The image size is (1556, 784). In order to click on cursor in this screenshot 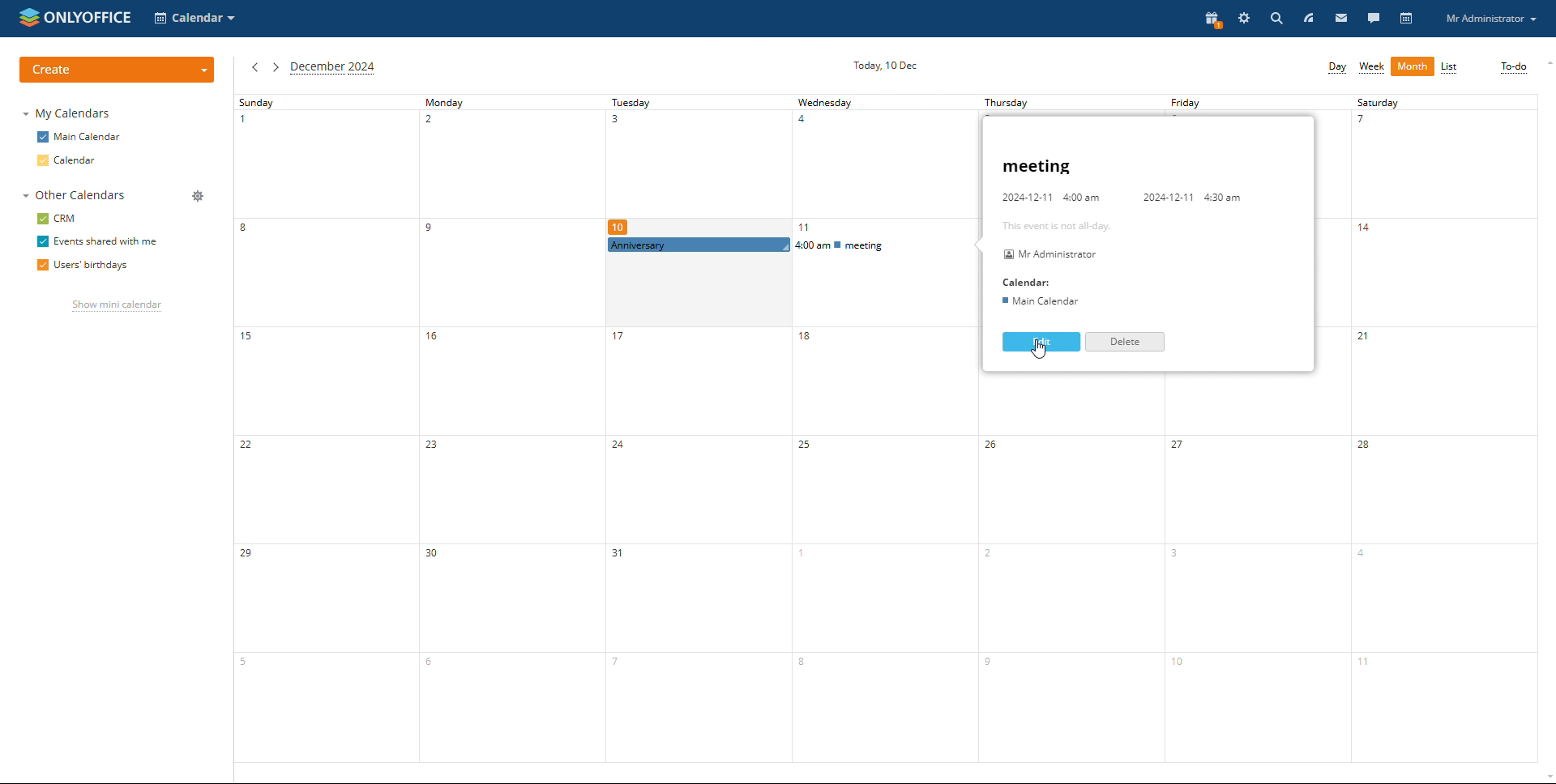, I will do `click(1045, 352)`.